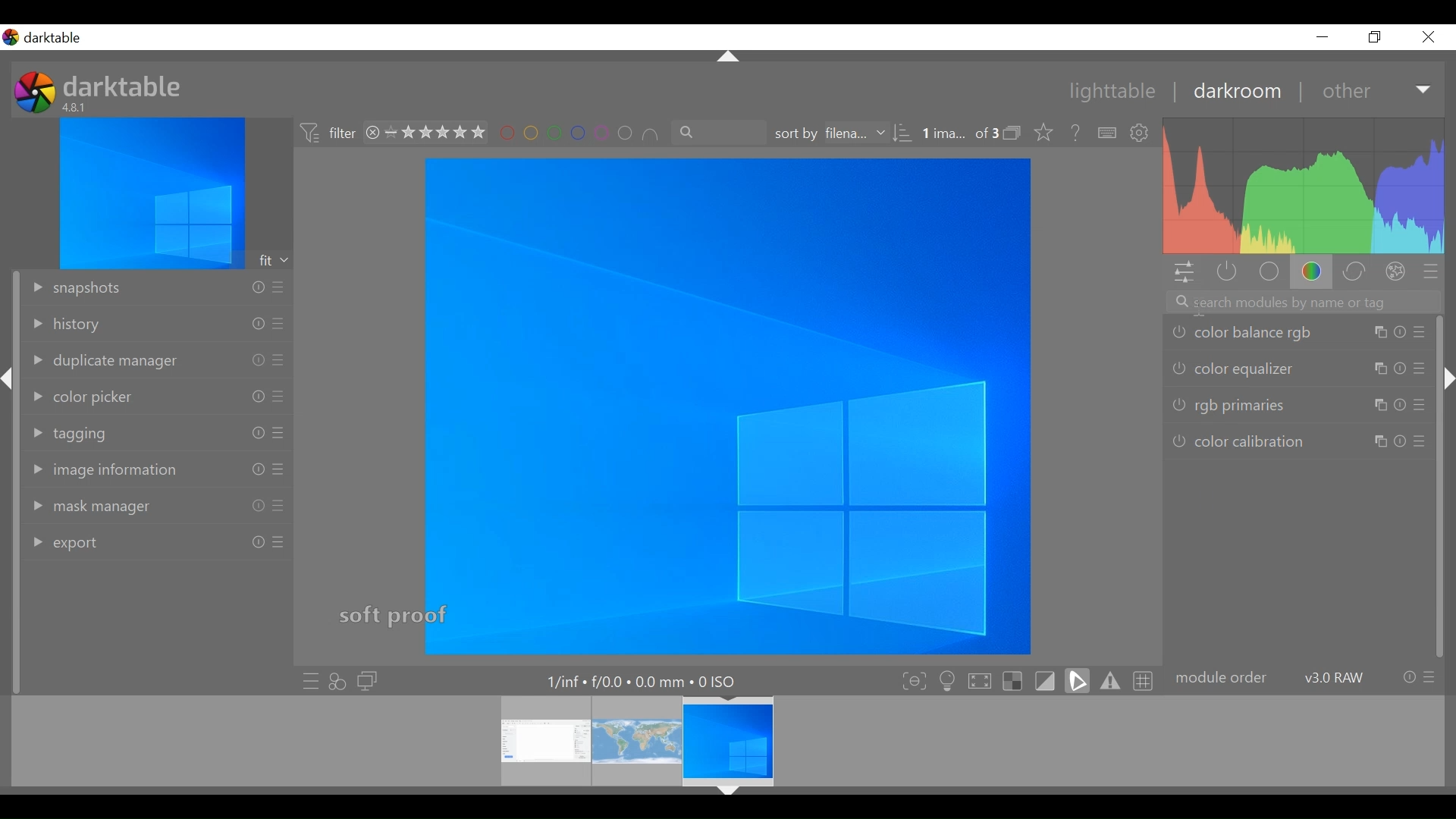 The height and width of the screenshot is (819, 1456). I want to click on Cursor, so click(1200, 307).